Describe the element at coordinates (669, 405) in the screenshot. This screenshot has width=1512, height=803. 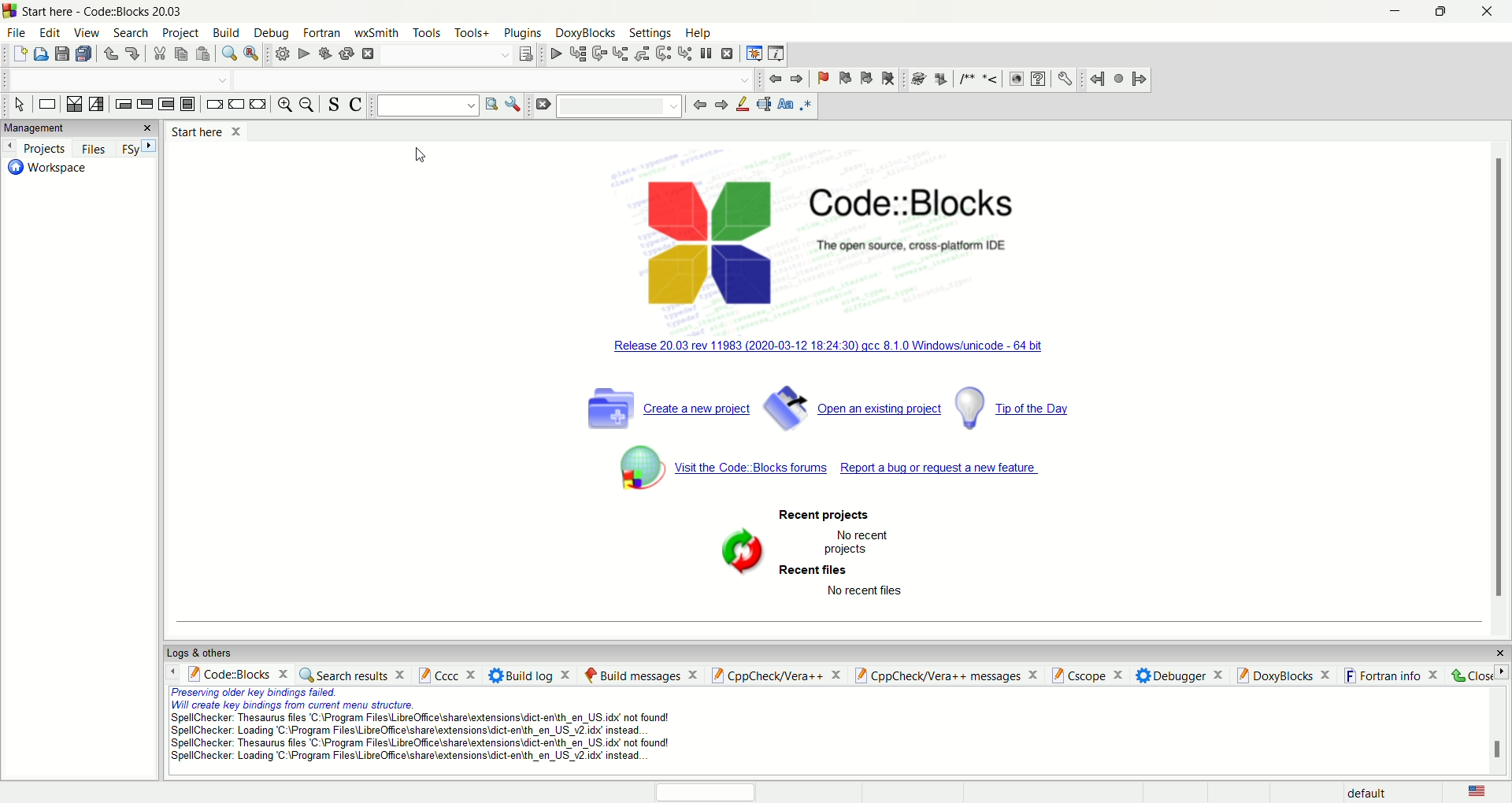
I see `create a new project` at that location.